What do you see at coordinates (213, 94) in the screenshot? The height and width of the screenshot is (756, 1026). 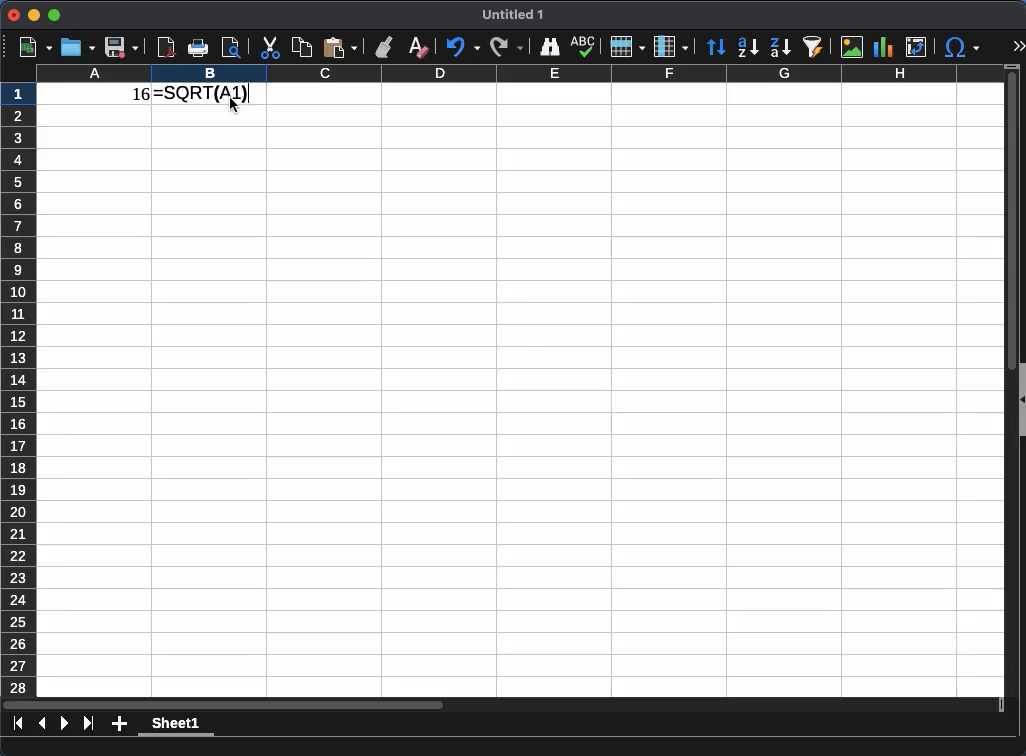 I see `=SQRT(A1)` at bounding box center [213, 94].